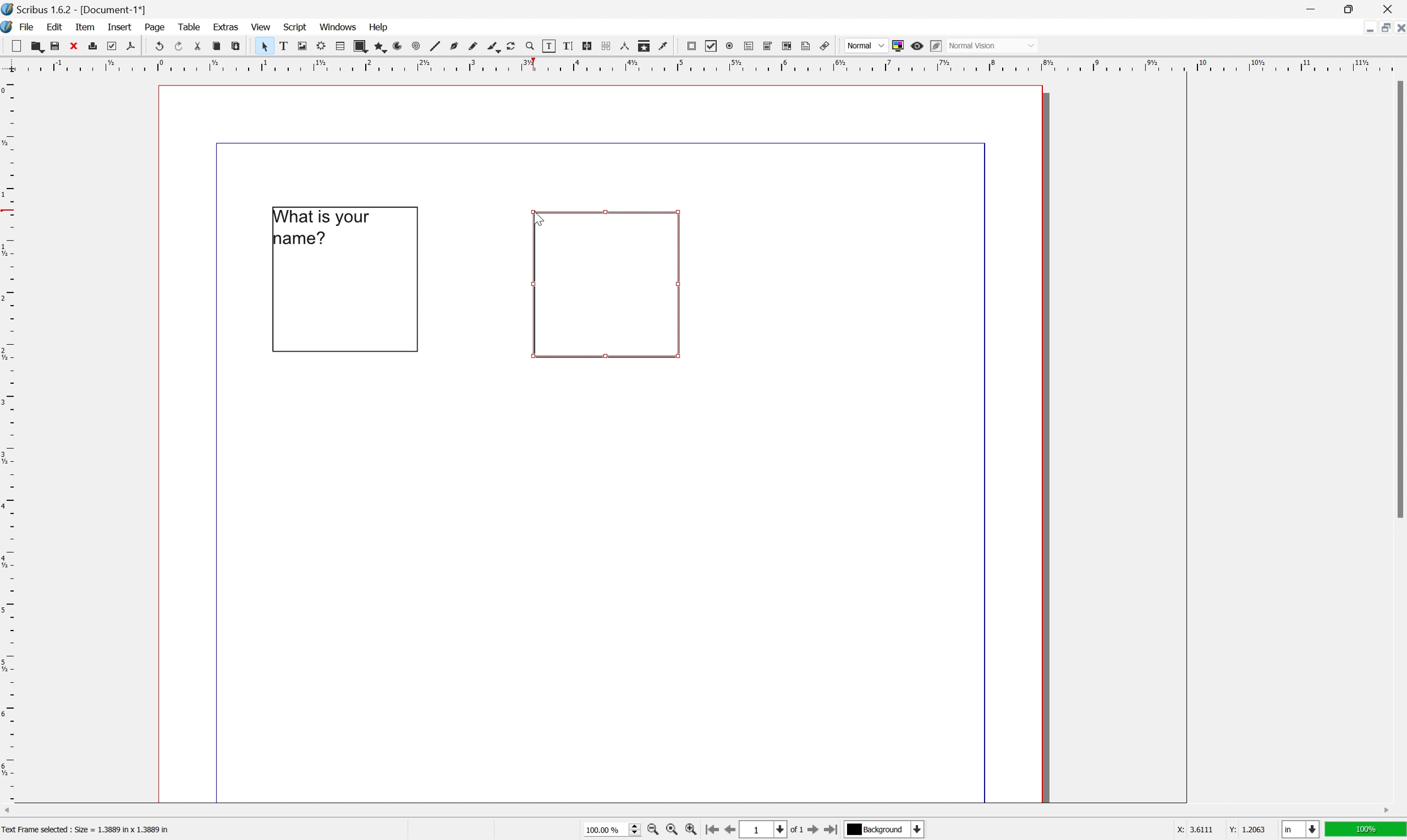 The width and height of the screenshot is (1407, 840). Describe the element at coordinates (605, 45) in the screenshot. I see `unlink text frames` at that location.